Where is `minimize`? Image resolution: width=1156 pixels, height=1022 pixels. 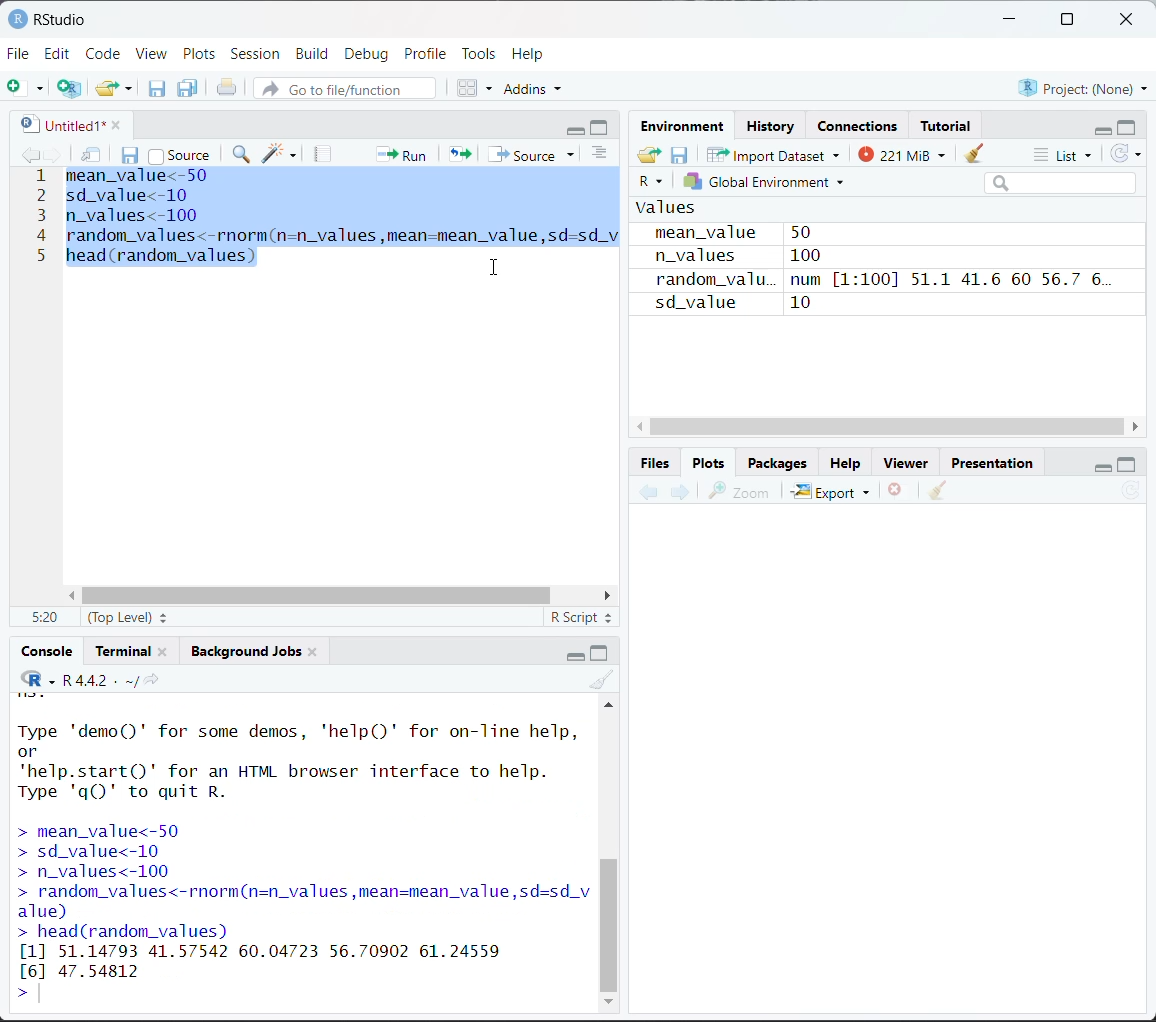
minimize is located at coordinates (1011, 20).